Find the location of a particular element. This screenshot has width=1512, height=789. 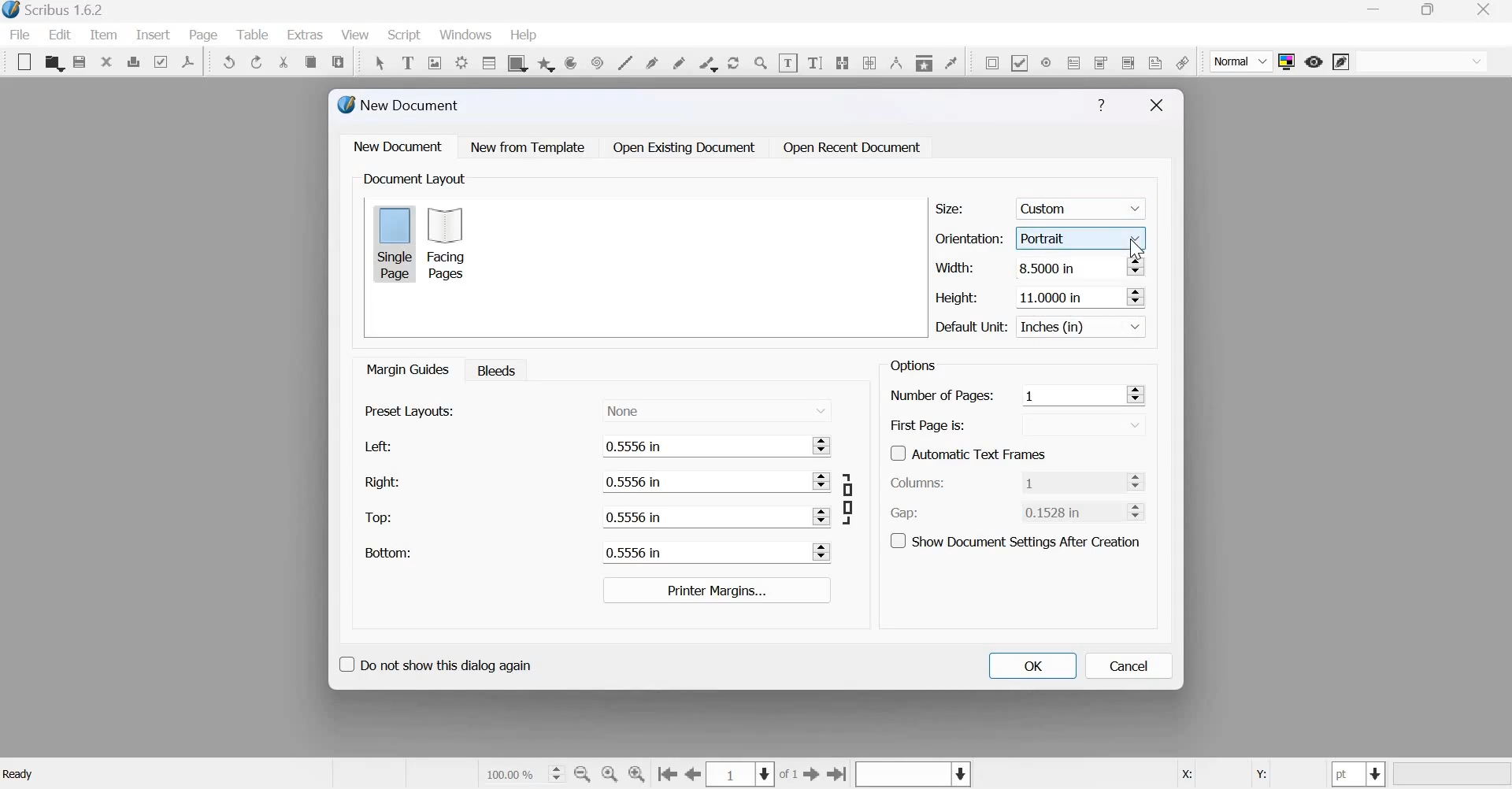

Bottom: is located at coordinates (387, 552).